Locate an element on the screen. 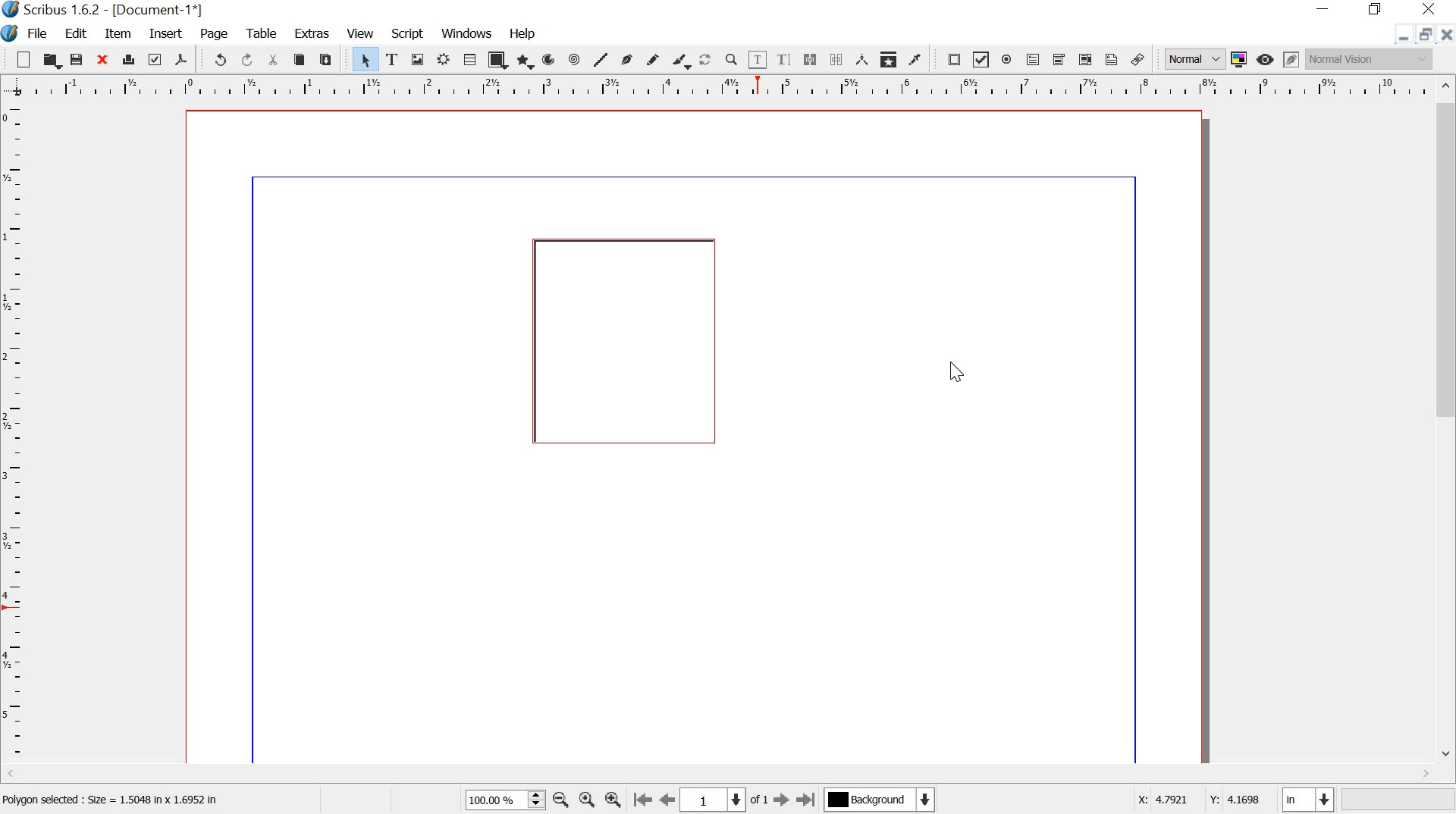 Image resolution: width=1456 pixels, height=814 pixels. link text frames is located at coordinates (810, 60).